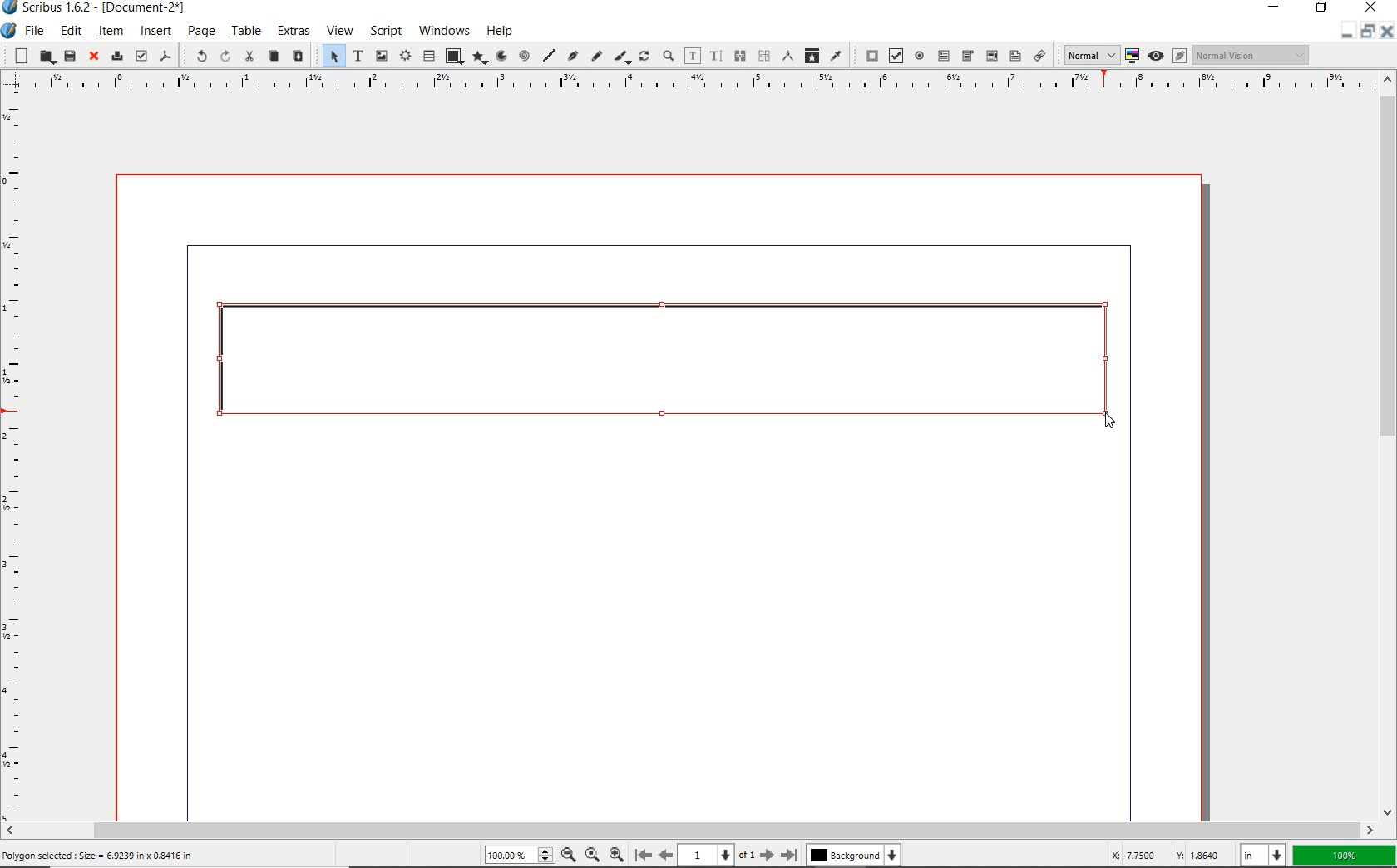 The image size is (1397, 868). What do you see at coordinates (700, 828) in the screenshot?
I see `scrollbar` at bounding box center [700, 828].